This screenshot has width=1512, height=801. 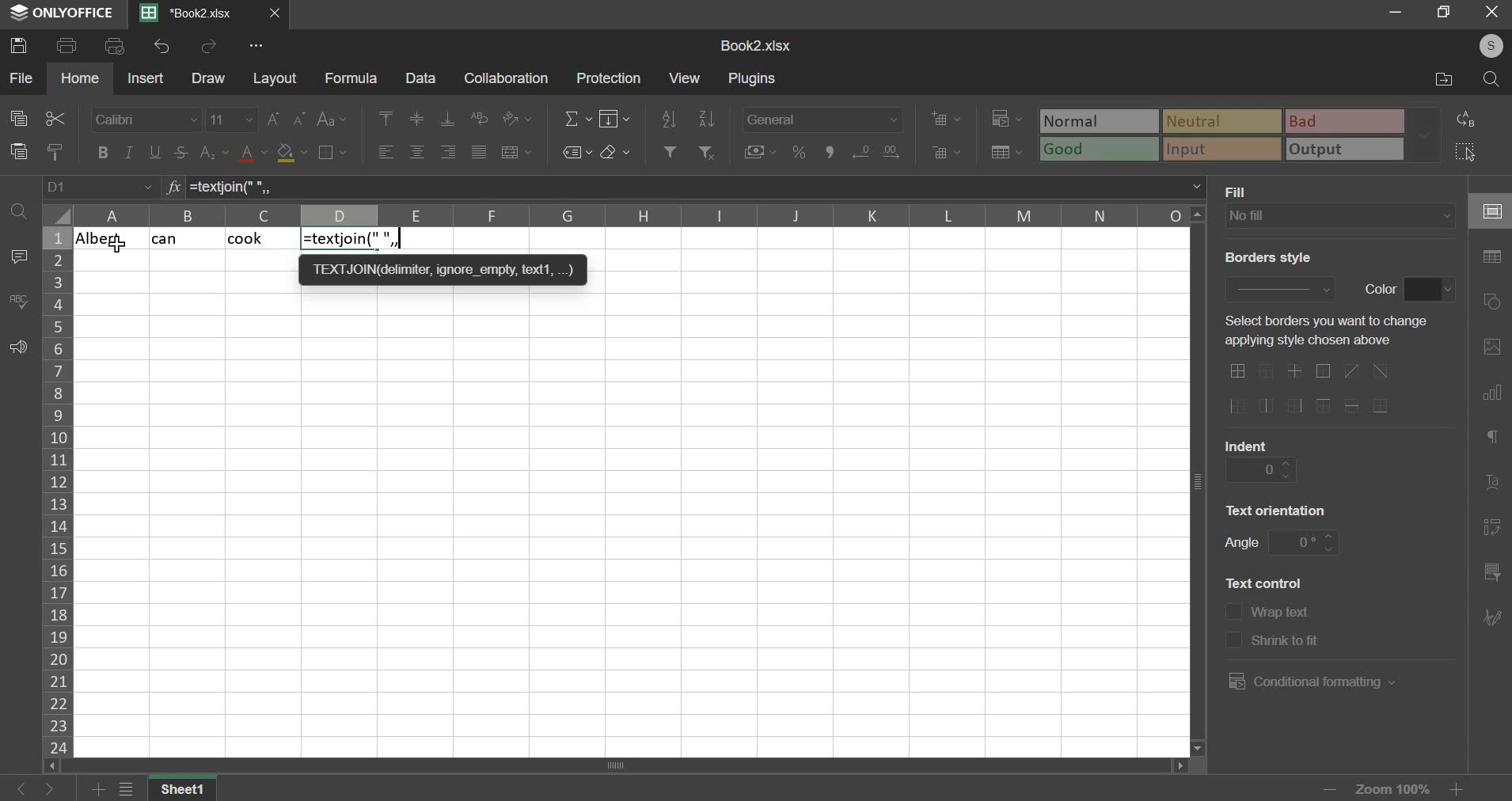 What do you see at coordinates (1008, 153) in the screenshot?
I see `save as table` at bounding box center [1008, 153].